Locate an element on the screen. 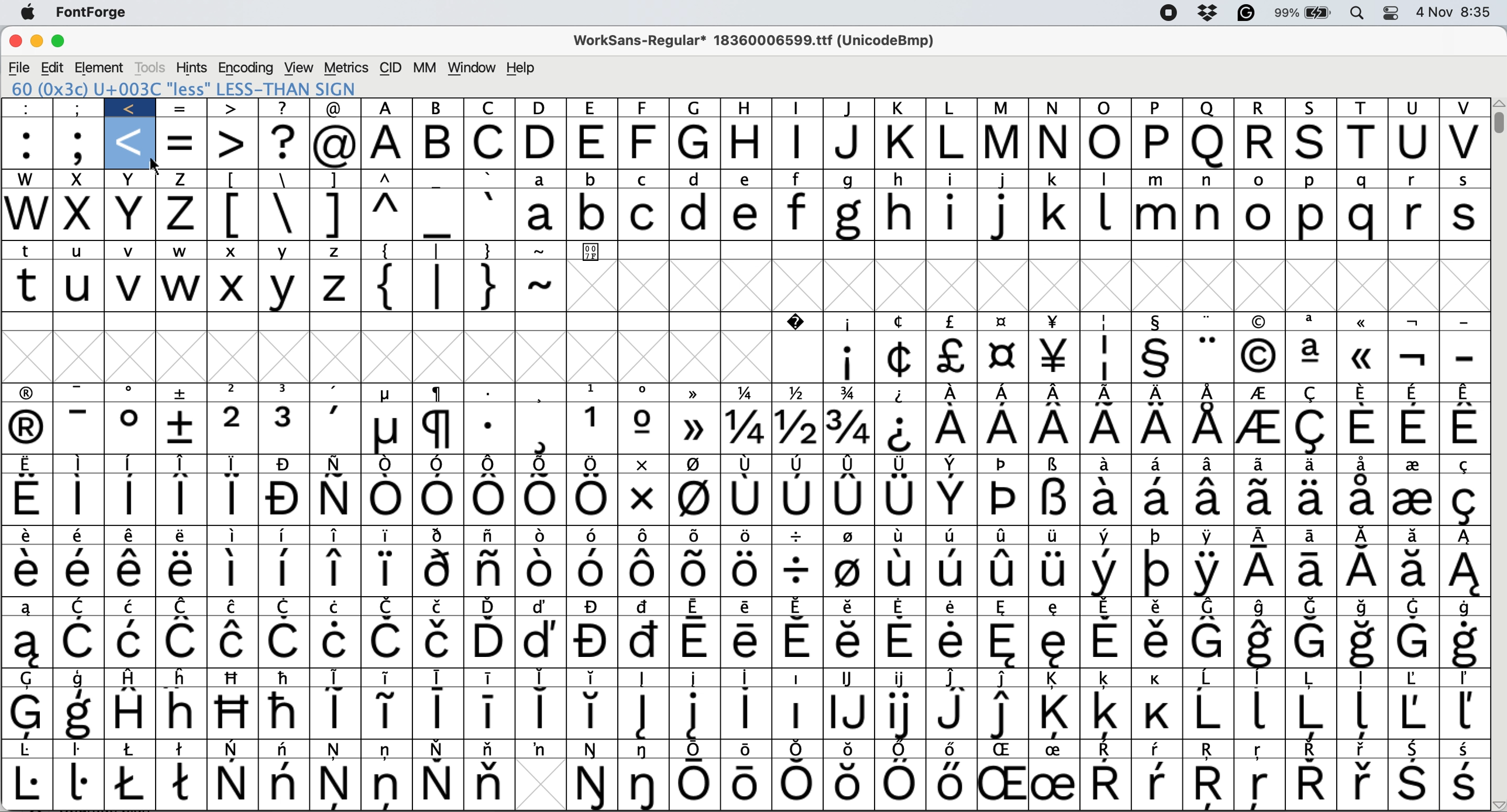 This screenshot has width=1507, height=812. Symbol is located at coordinates (593, 713).